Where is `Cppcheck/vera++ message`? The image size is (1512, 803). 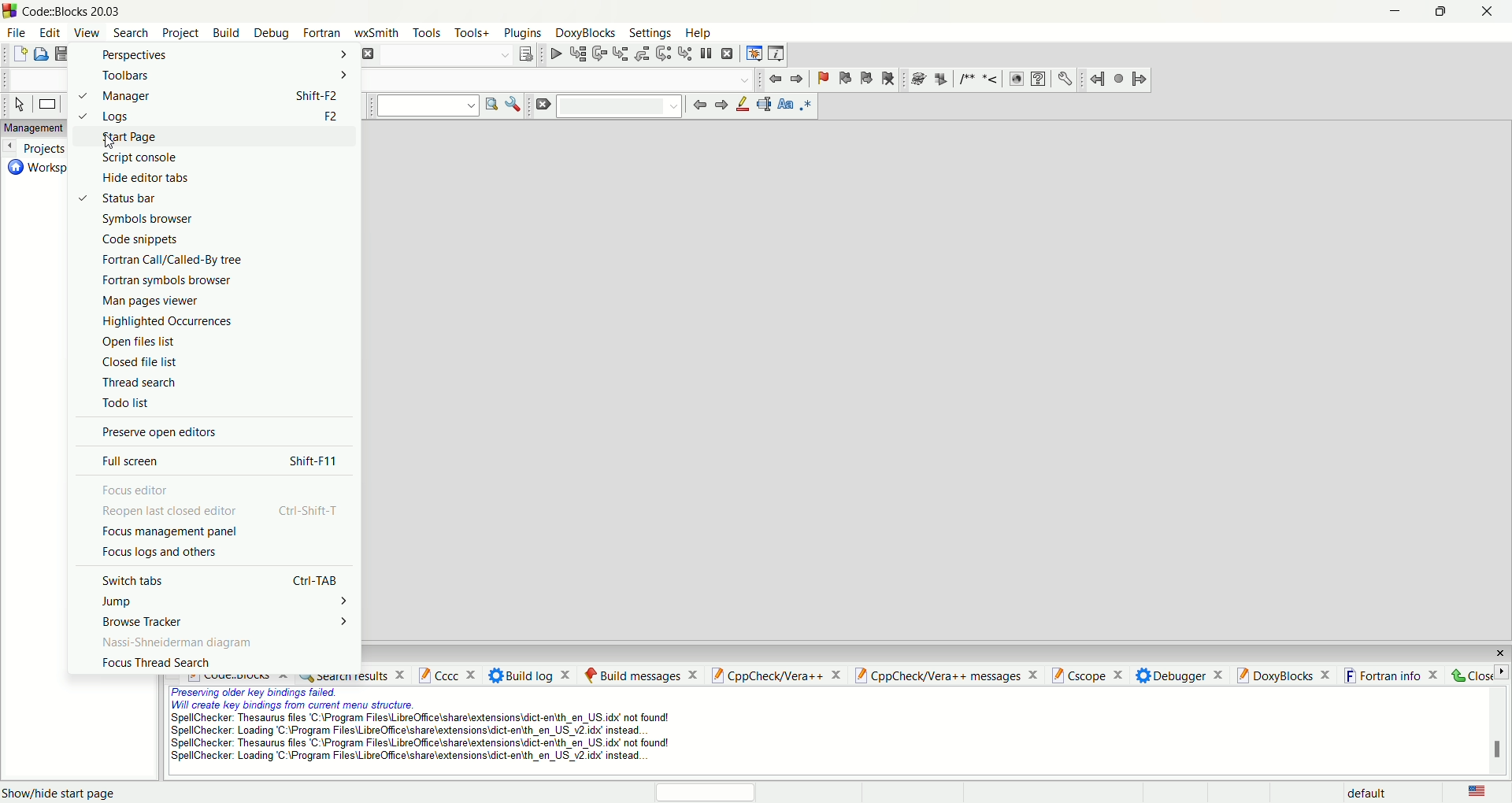
Cppcheck/vera++ message is located at coordinates (946, 676).